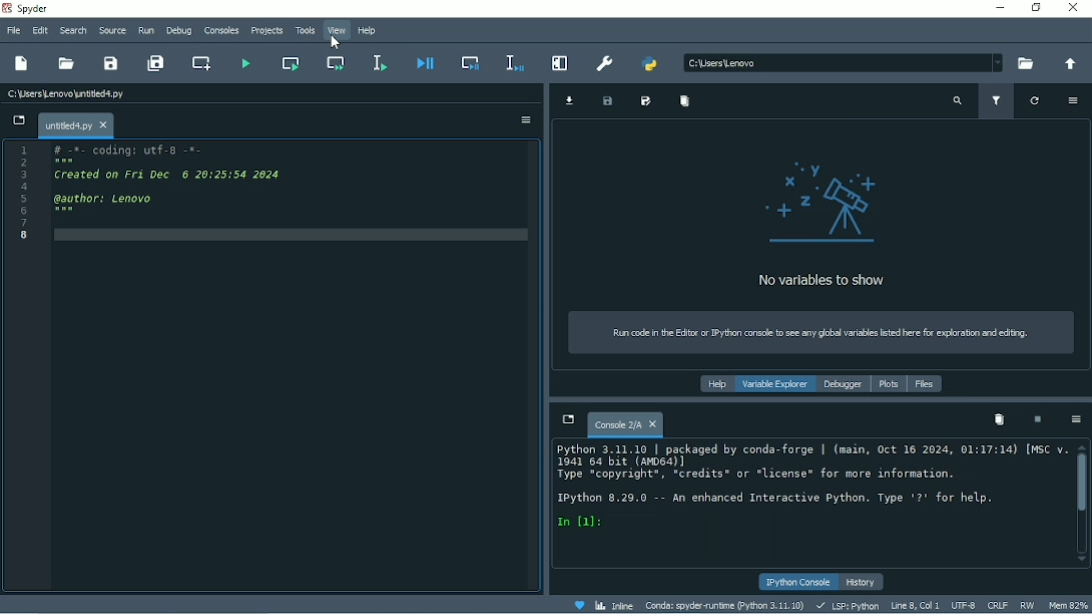 This screenshot has height=614, width=1092. I want to click on Plots, so click(889, 385).